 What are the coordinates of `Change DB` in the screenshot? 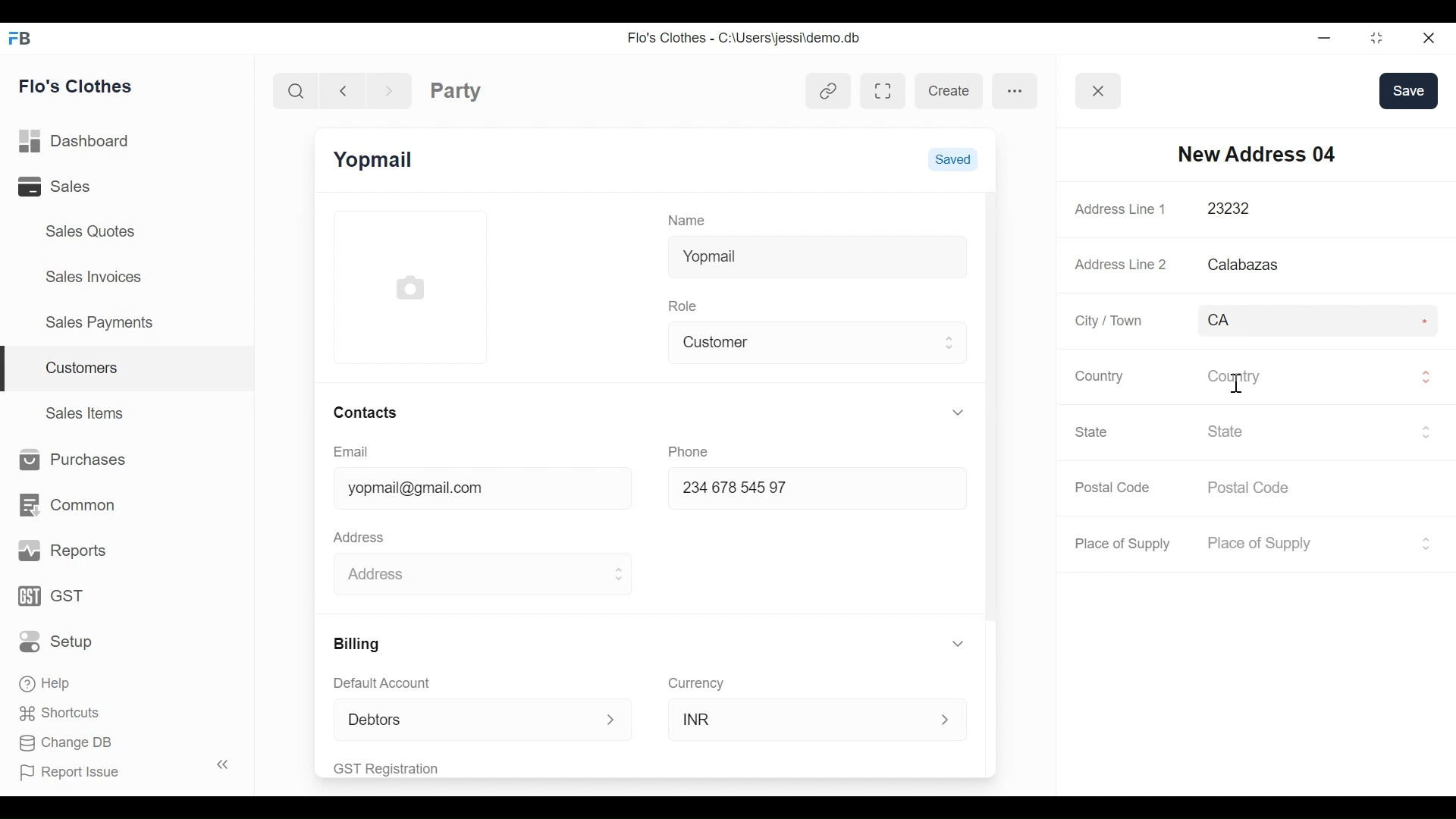 It's located at (67, 745).